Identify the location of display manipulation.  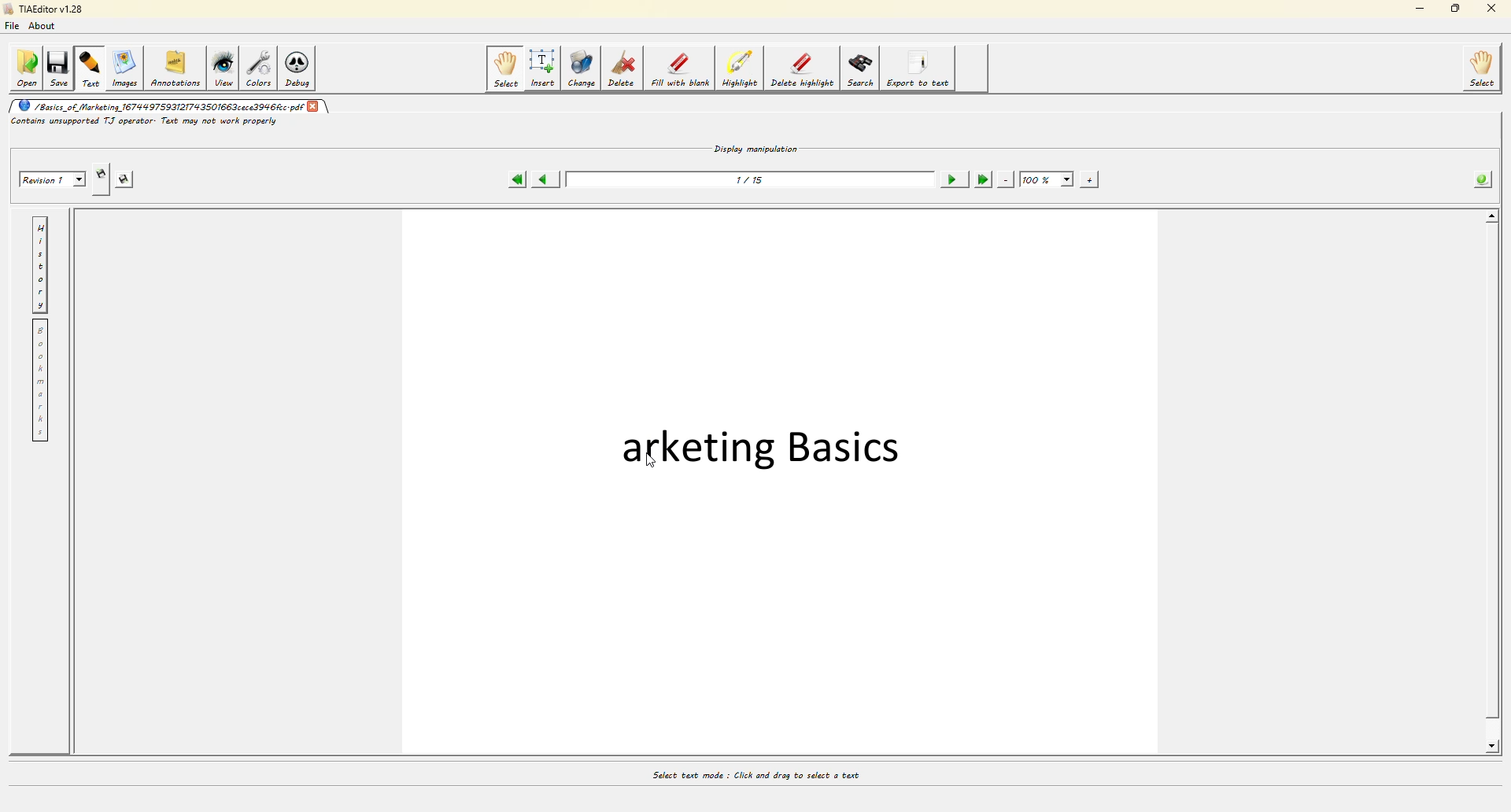
(756, 145).